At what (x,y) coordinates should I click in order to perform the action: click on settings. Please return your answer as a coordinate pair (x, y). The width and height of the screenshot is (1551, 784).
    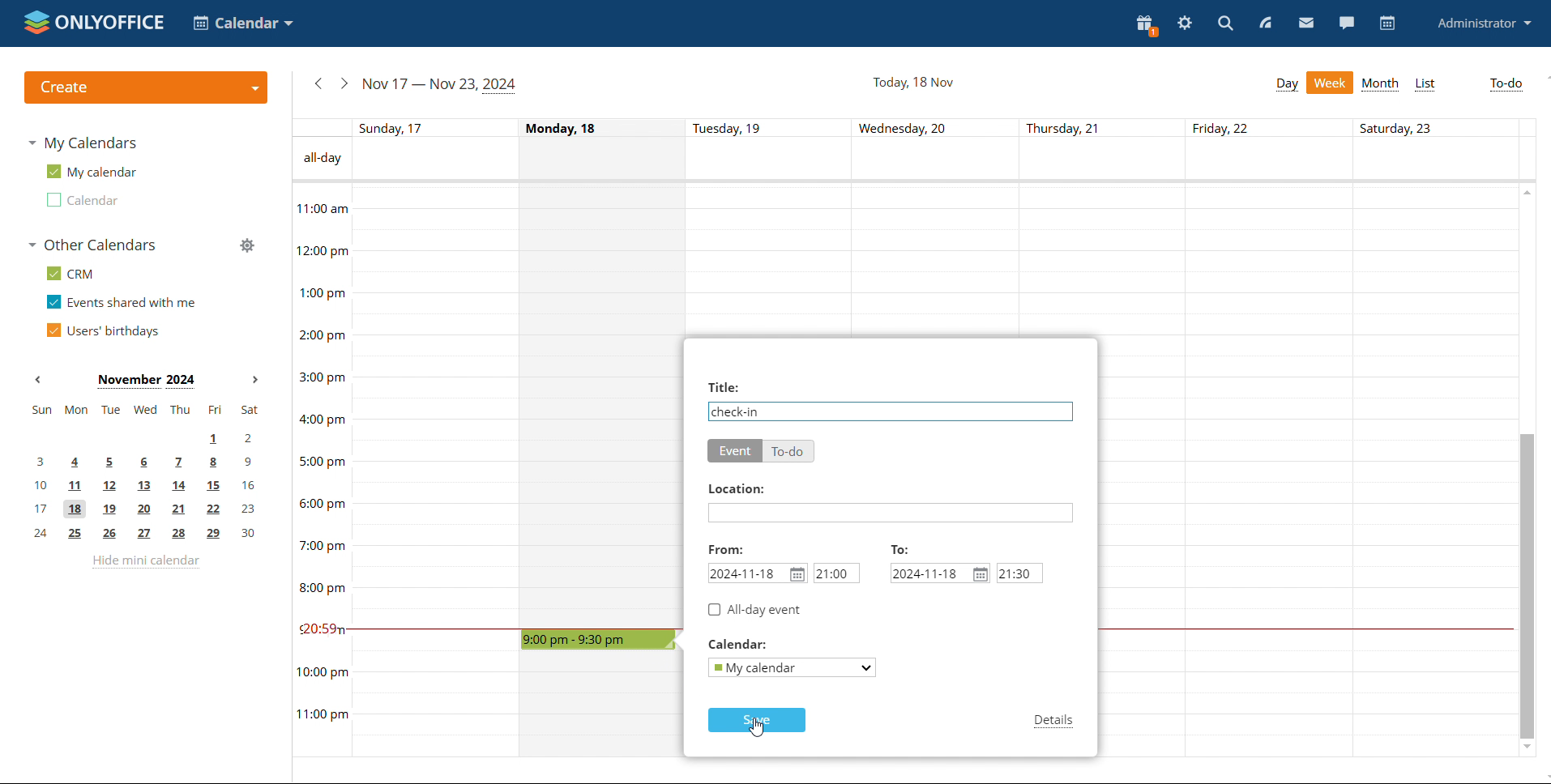
    Looking at the image, I should click on (1185, 23).